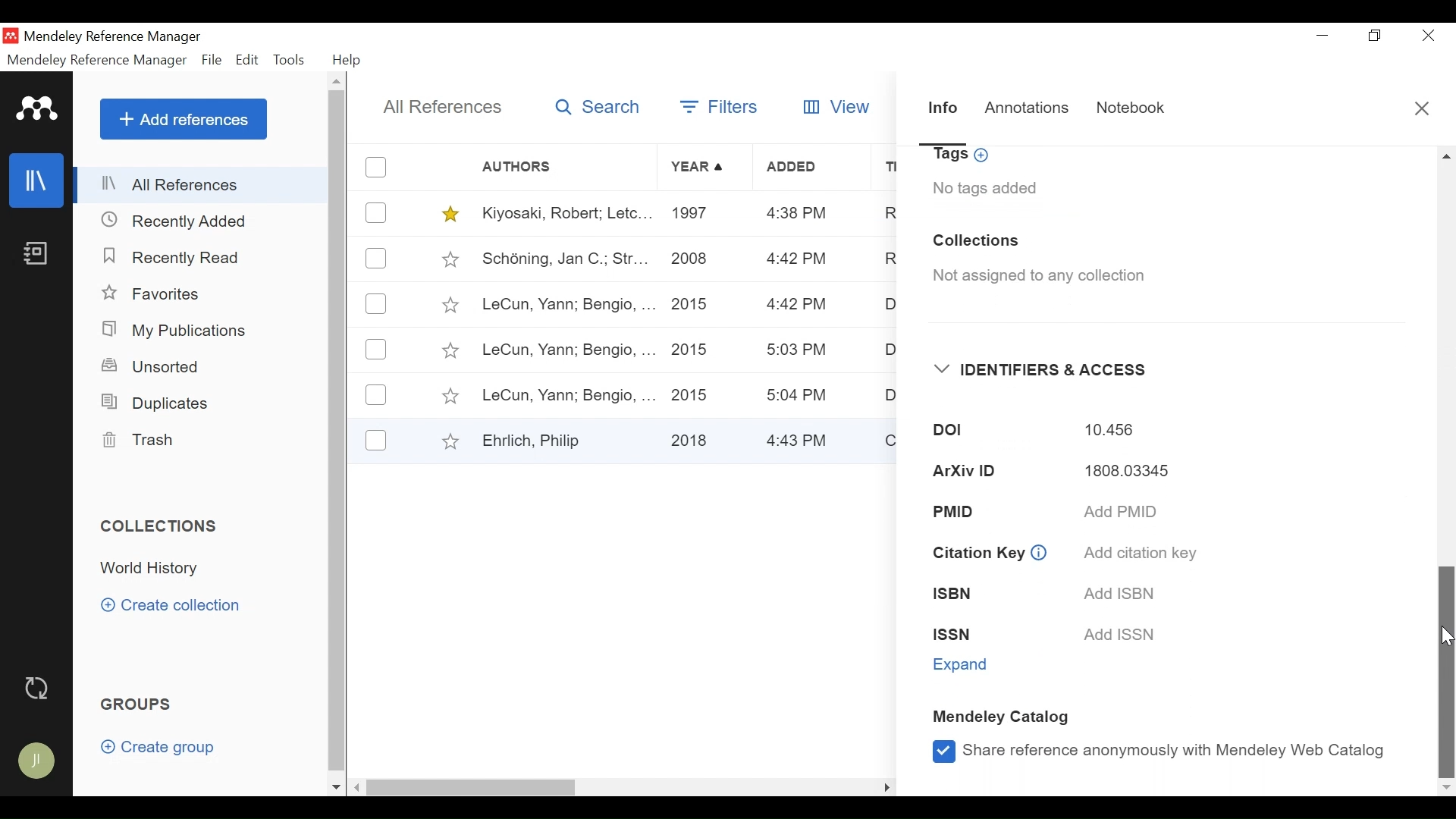 Image resolution: width=1456 pixels, height=819 pixels. What do you see at coordinates (691, 262) in the screenshot?
I see `2008` at bounding box center [691, 262].